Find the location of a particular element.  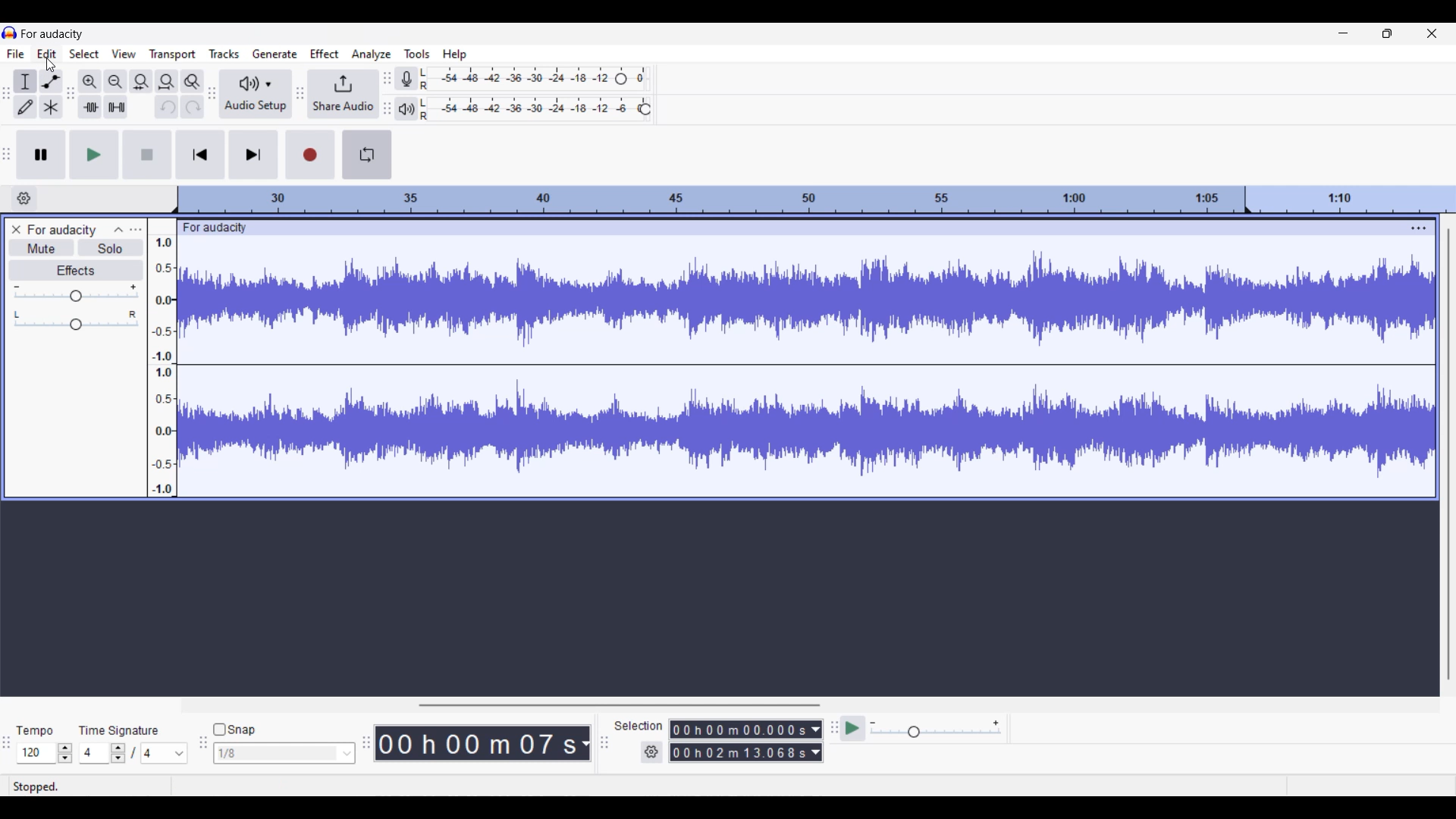

Transport is located at coordinates (173, 54).